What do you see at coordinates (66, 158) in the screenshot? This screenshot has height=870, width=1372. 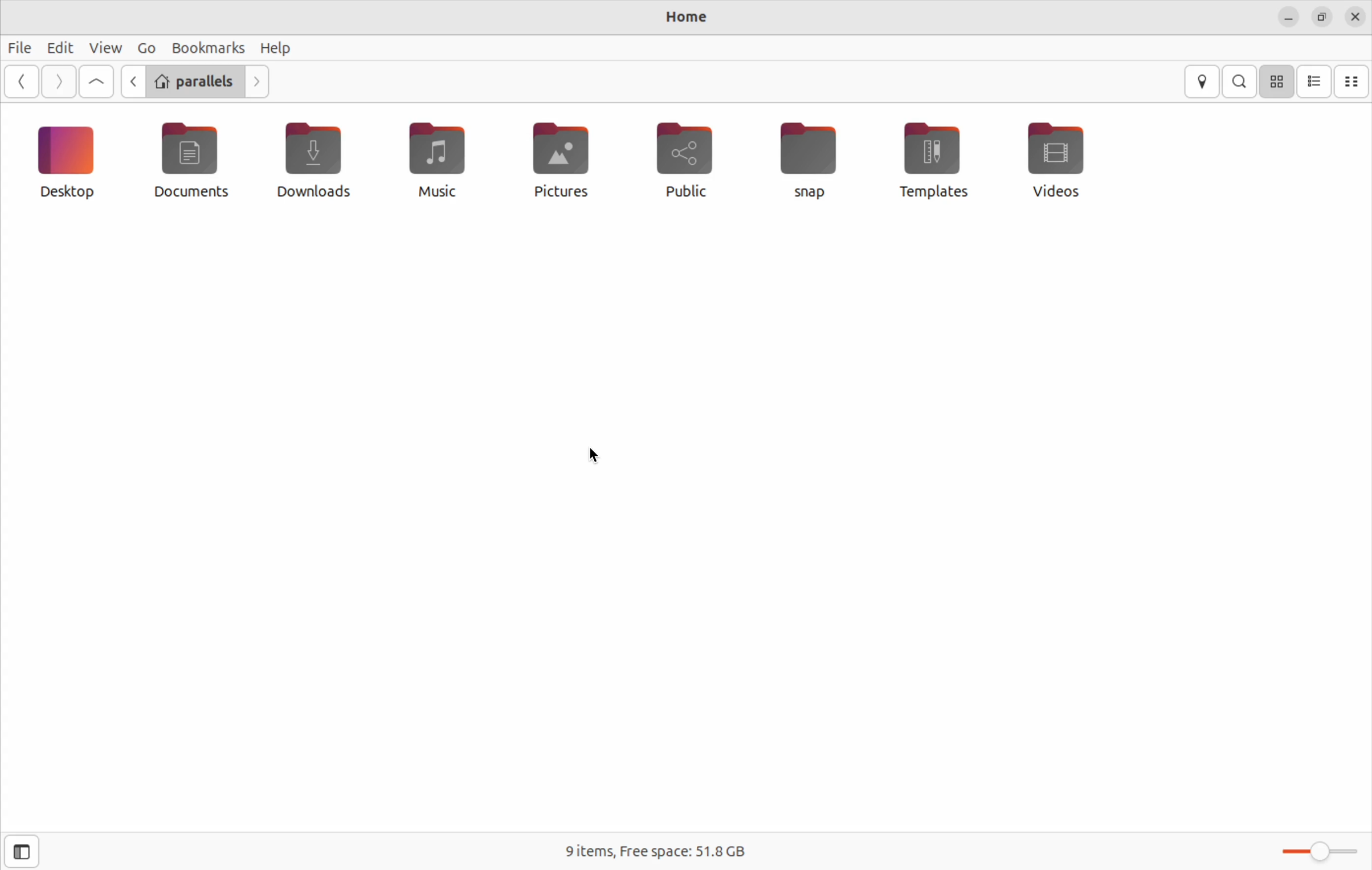 I see `Desktop icon` at bounding box center [66, 158].